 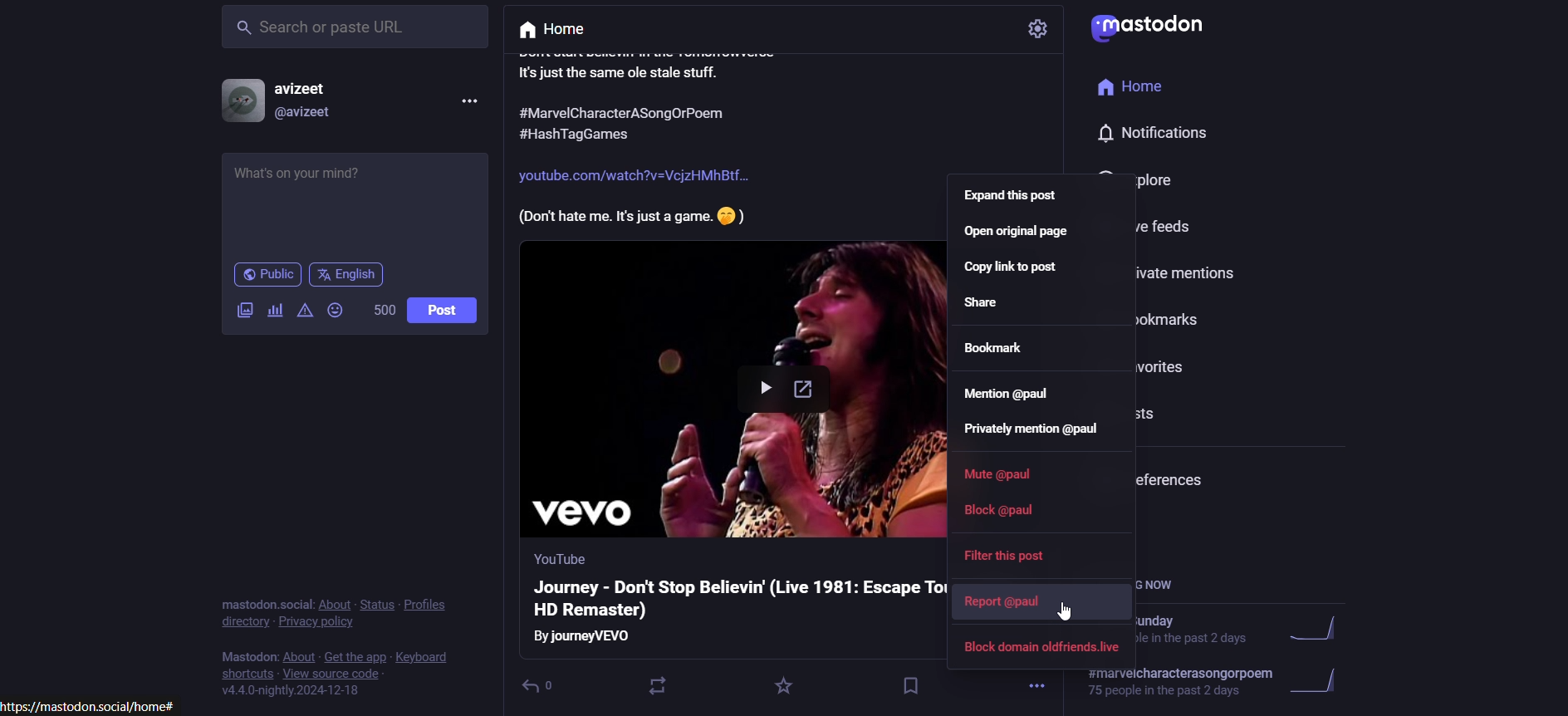 I want to click on block user, so click(x=1002, y=517).